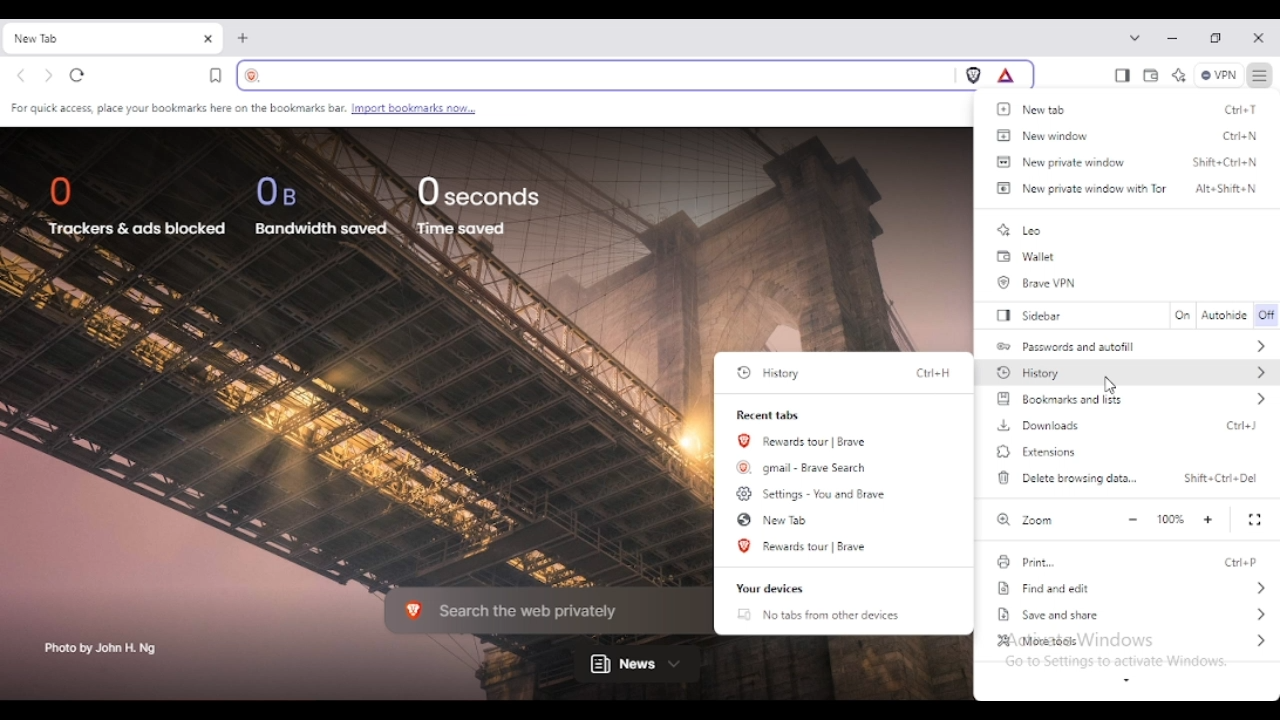 The image size is (1280, 720). What do you see at coordinates (94, 39) in the screenshot?
I see `new tab` at bounding box center [94, 39].